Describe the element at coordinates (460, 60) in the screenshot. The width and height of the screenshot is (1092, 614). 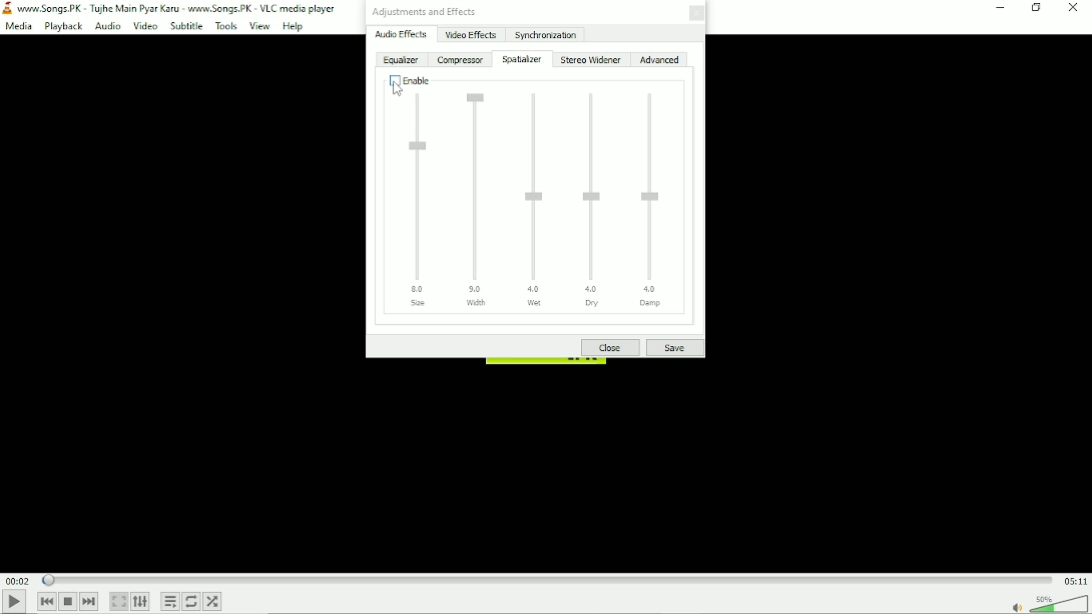
I see `Compressor` at that location.